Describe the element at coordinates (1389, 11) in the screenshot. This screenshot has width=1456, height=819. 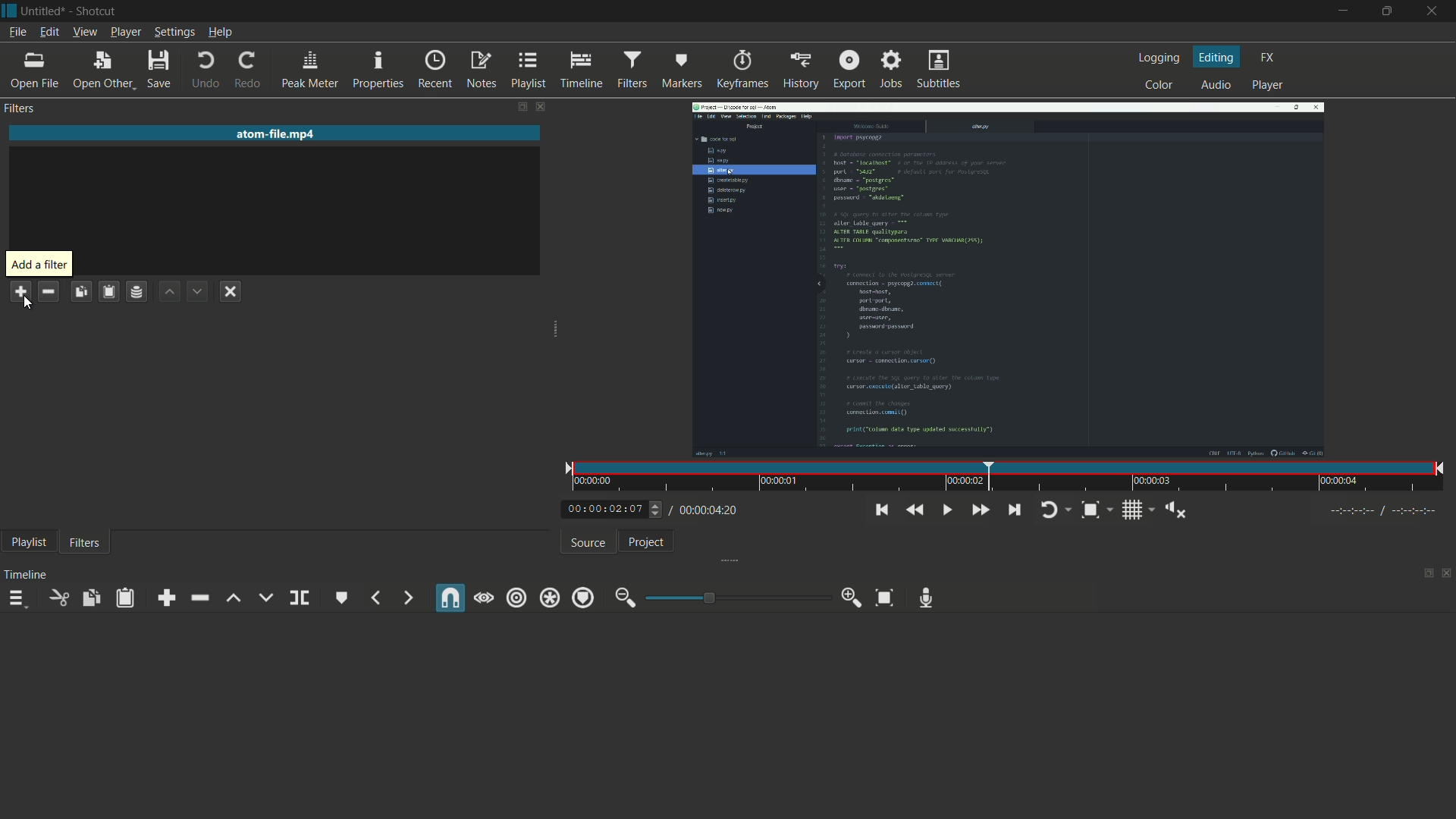
I see `maximize` at that location.